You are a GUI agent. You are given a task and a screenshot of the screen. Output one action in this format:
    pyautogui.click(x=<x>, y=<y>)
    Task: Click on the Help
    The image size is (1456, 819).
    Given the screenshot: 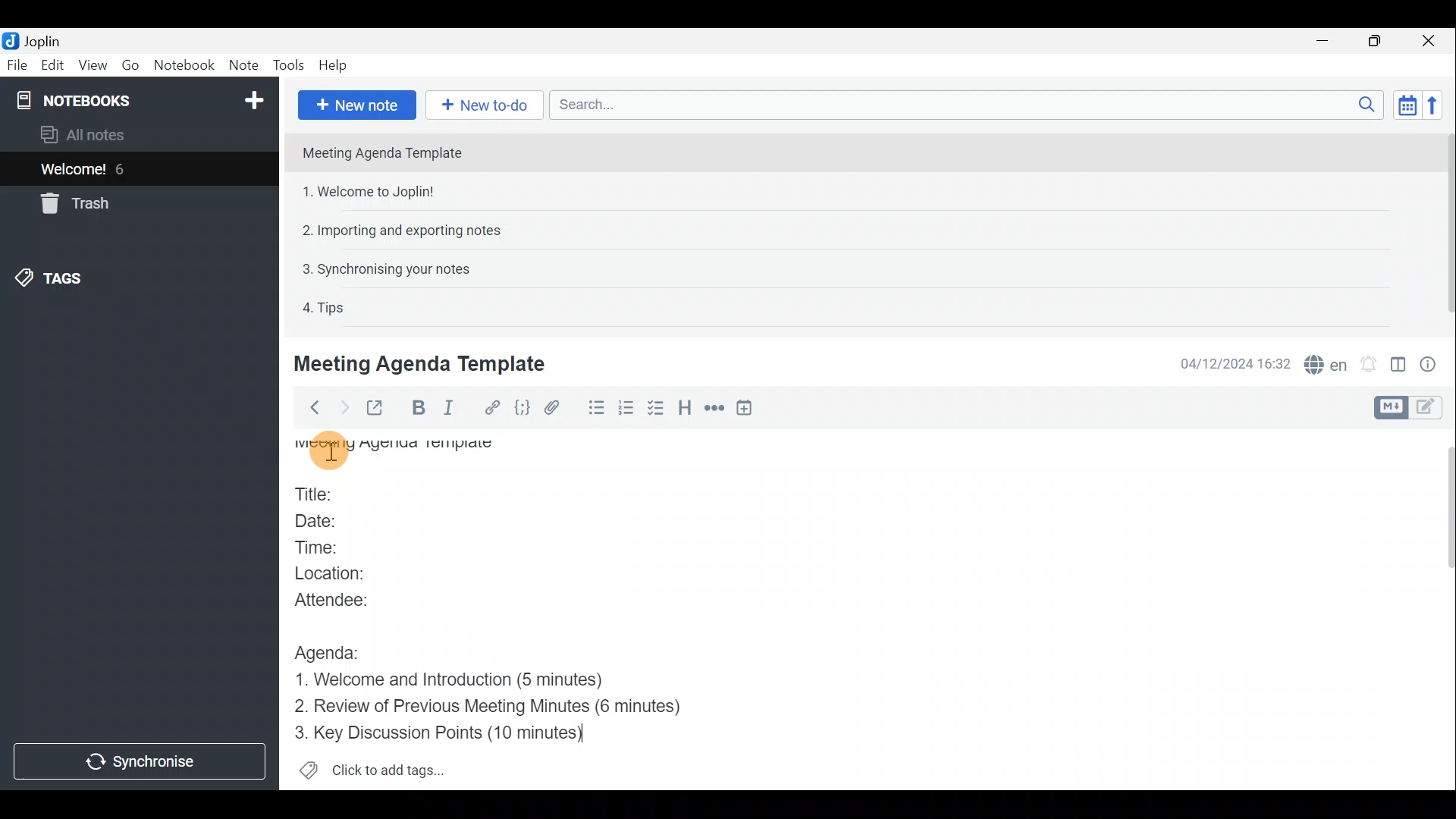 What is the action you would take?
    pyautogui.click(x=336, y=65)
    